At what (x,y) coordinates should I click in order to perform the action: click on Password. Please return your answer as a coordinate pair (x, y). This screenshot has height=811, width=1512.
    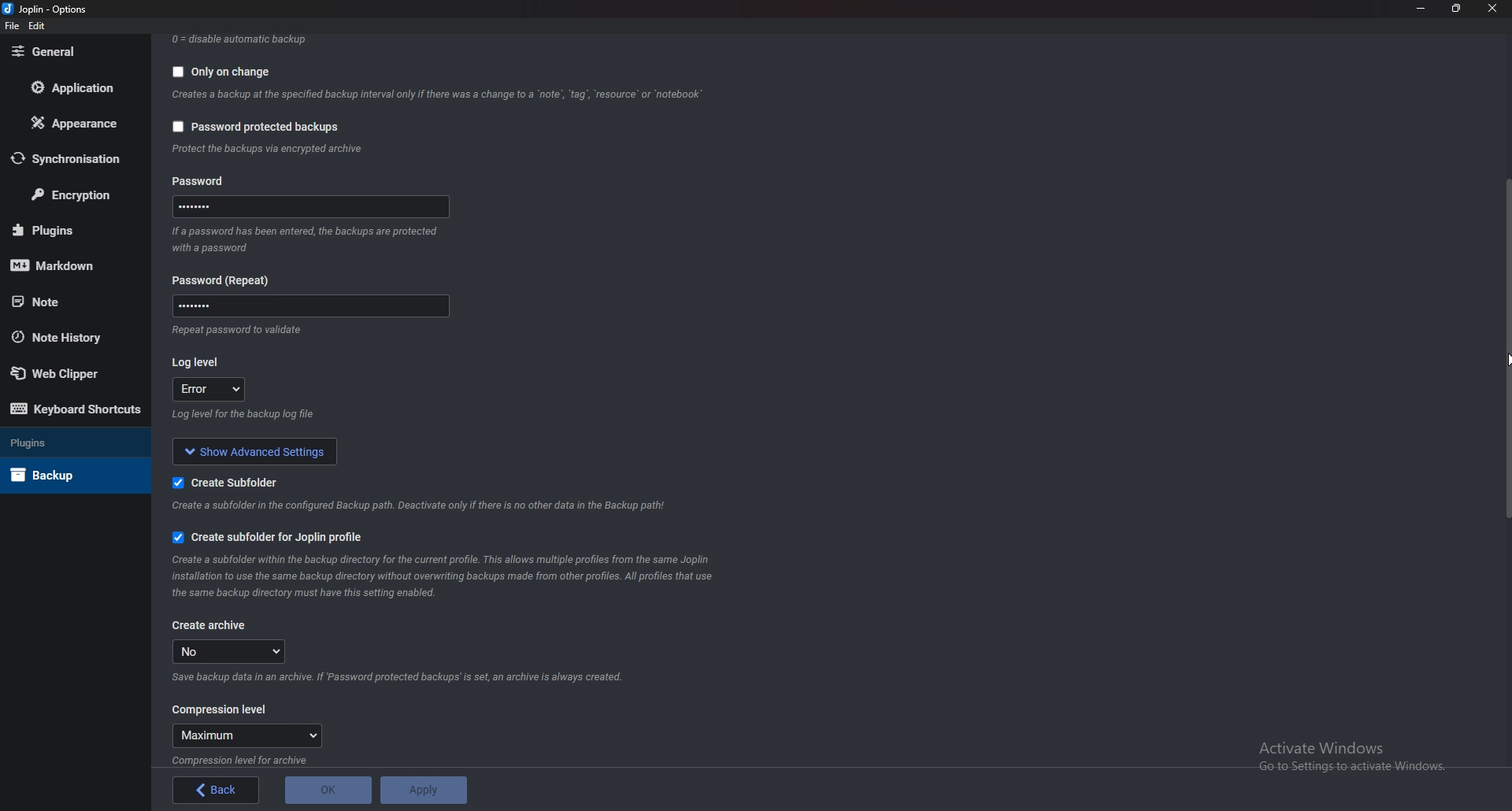
    Looking at the image, I should click on (315, 206).